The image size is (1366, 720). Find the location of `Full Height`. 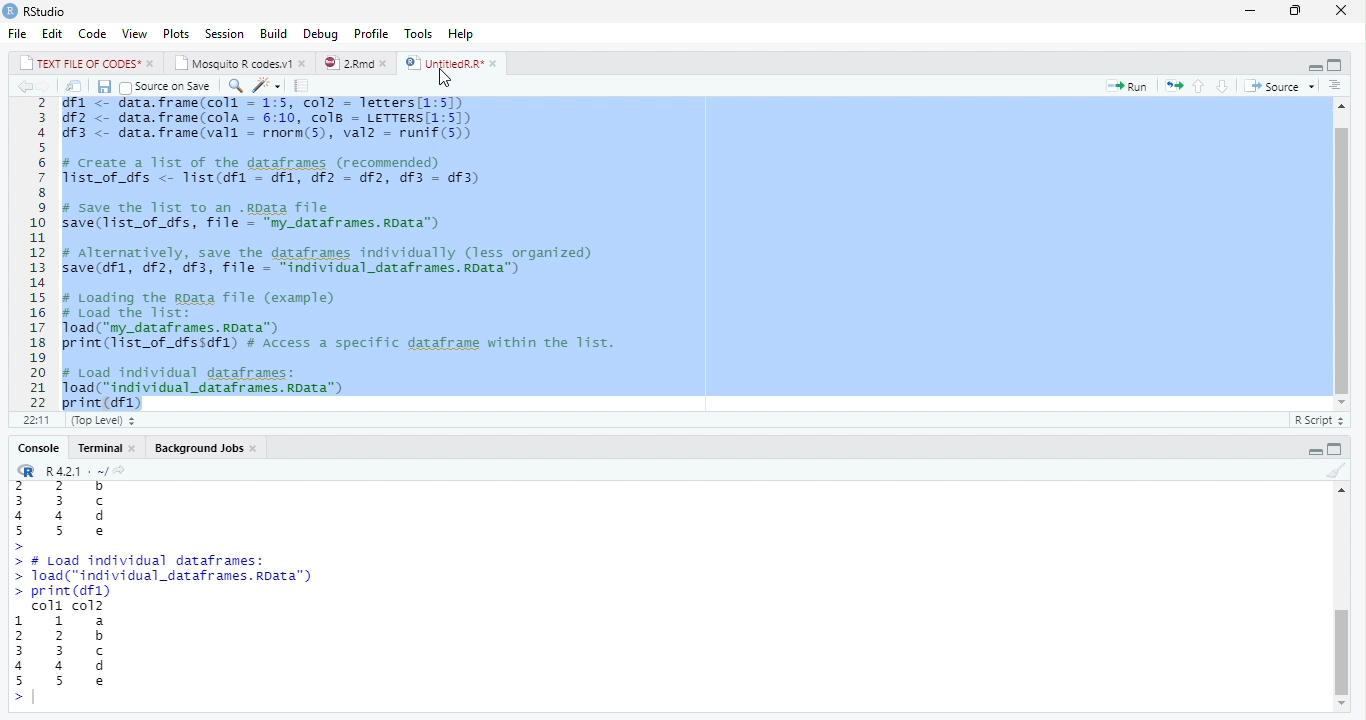

Full Height is located at coordinates (1338, 64).